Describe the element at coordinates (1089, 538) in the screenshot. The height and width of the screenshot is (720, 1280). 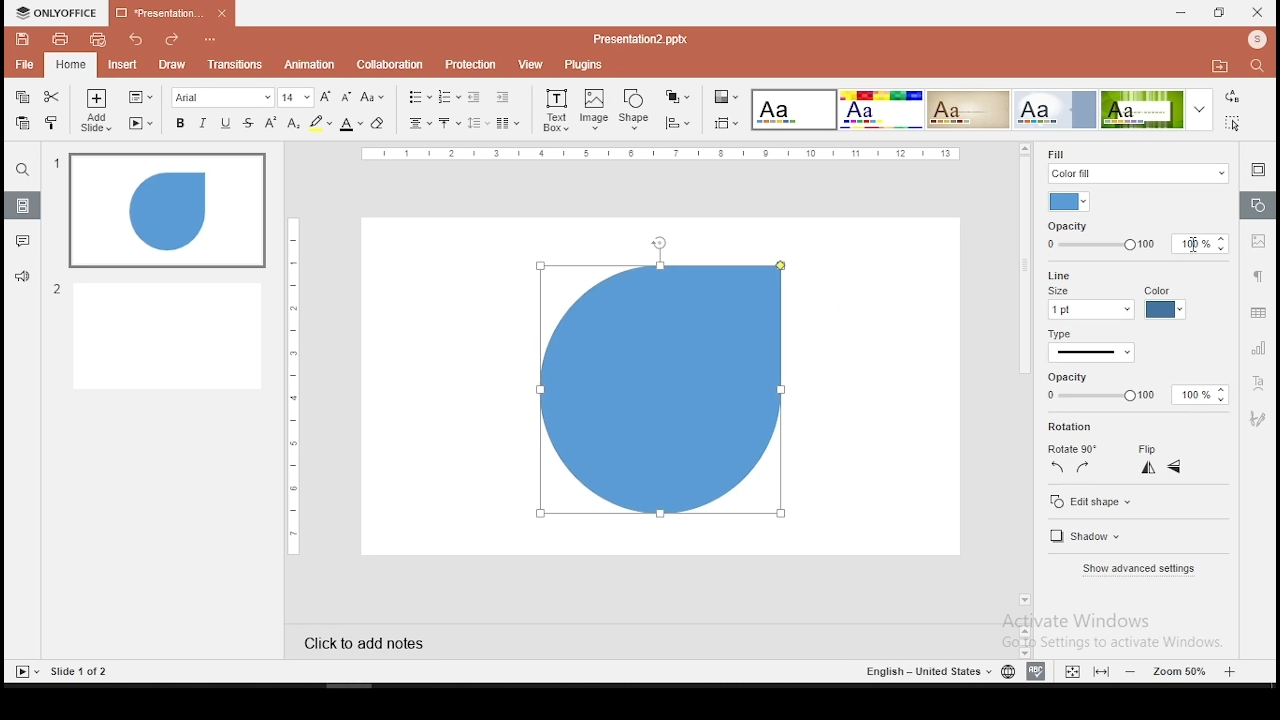
I see `shadow` at that location.